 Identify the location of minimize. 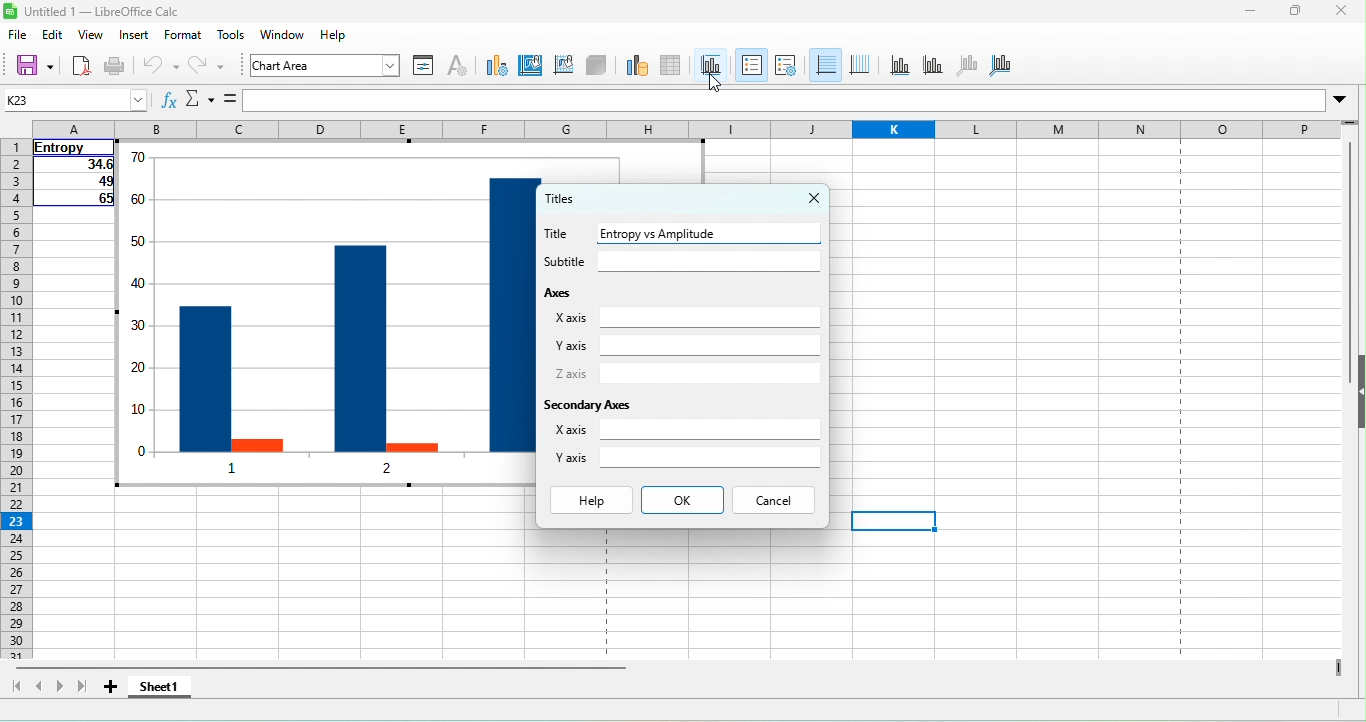
(1234, 14).